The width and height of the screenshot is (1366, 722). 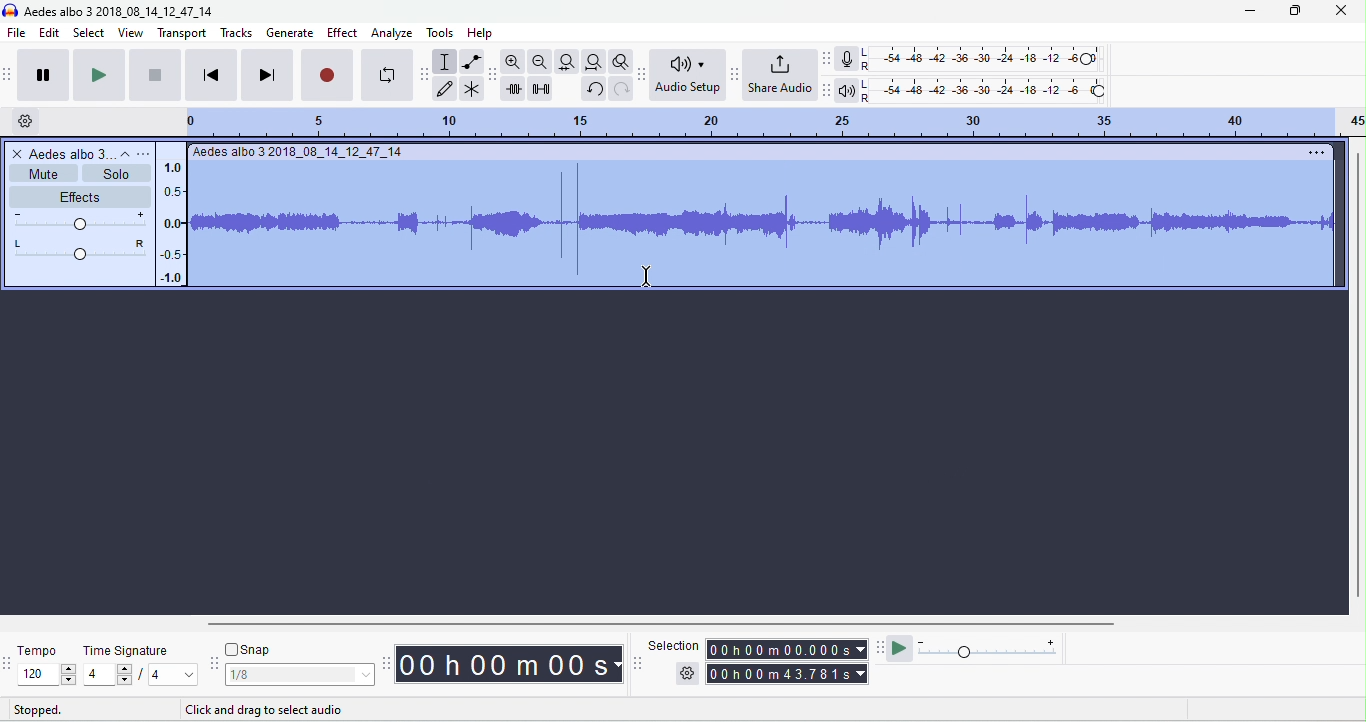 What do you see at coordinates (139, 675) in the screenshot?
I see `select time signature` at bounding box center [139, 675].